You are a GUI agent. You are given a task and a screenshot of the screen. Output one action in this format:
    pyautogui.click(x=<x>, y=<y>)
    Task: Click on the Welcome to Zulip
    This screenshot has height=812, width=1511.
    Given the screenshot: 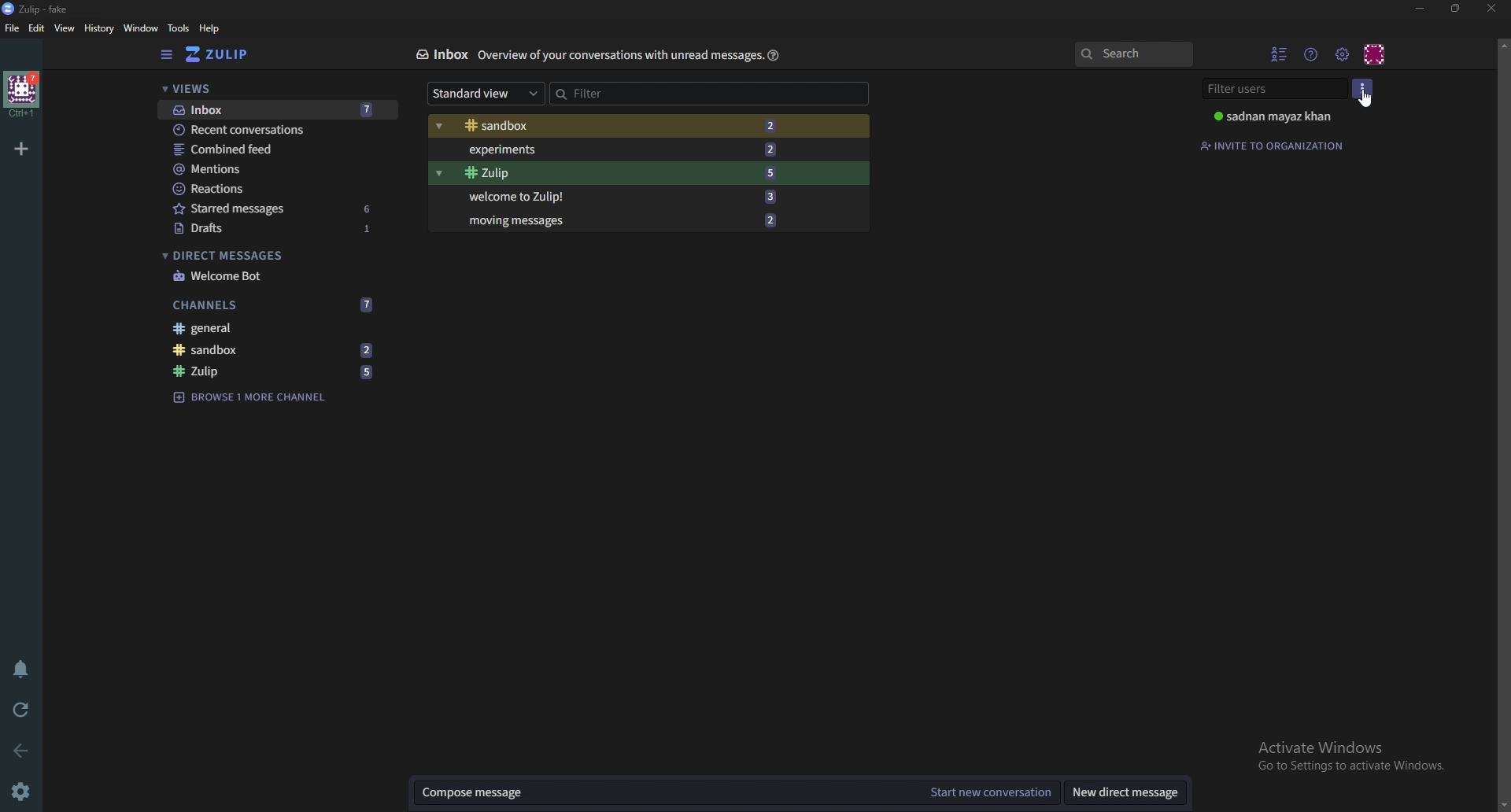 What is the action you would take?
    pyautogui.click(x=619, y=195)
    